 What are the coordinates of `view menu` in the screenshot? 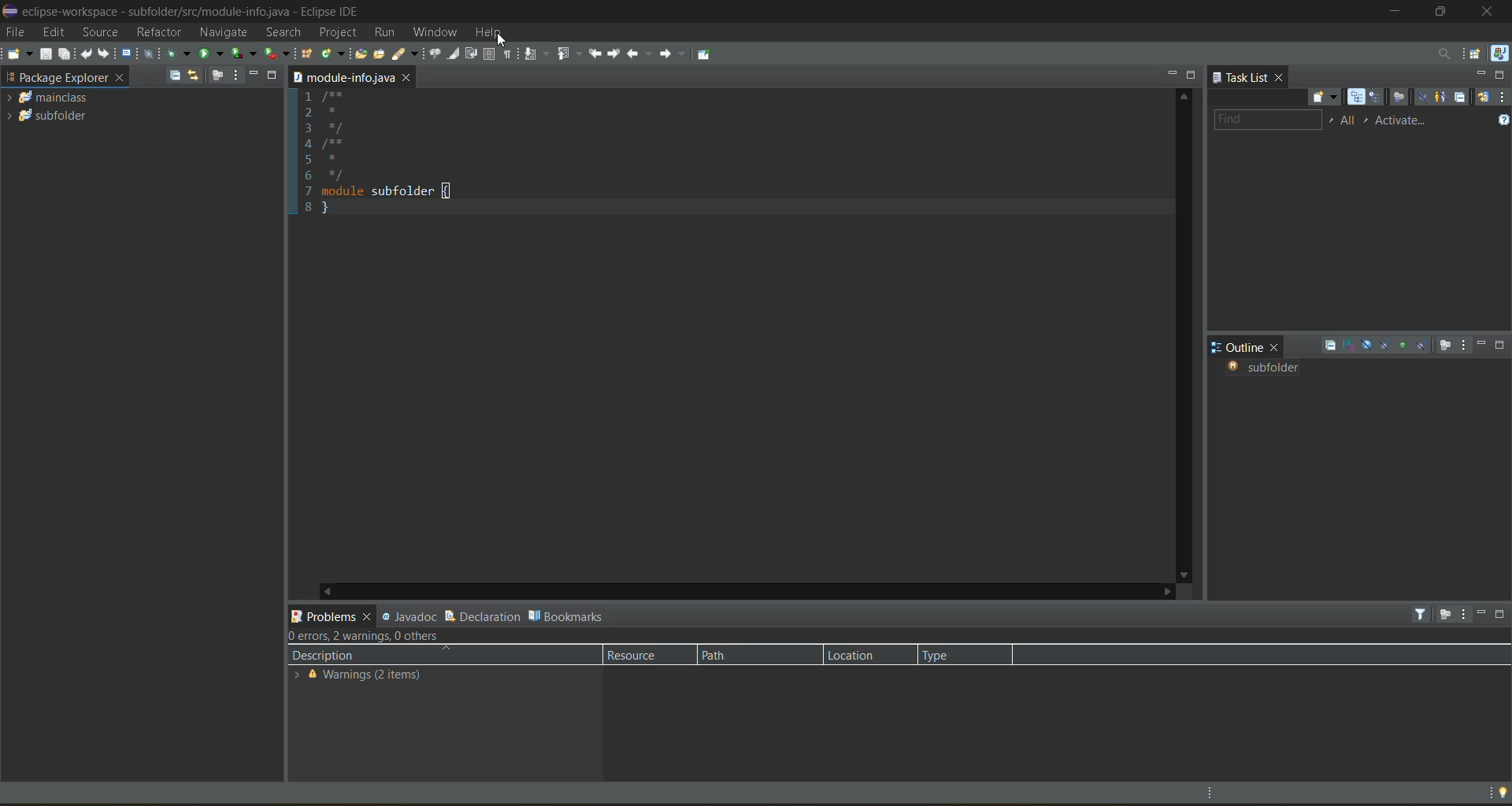 It's located at (1503, 97).